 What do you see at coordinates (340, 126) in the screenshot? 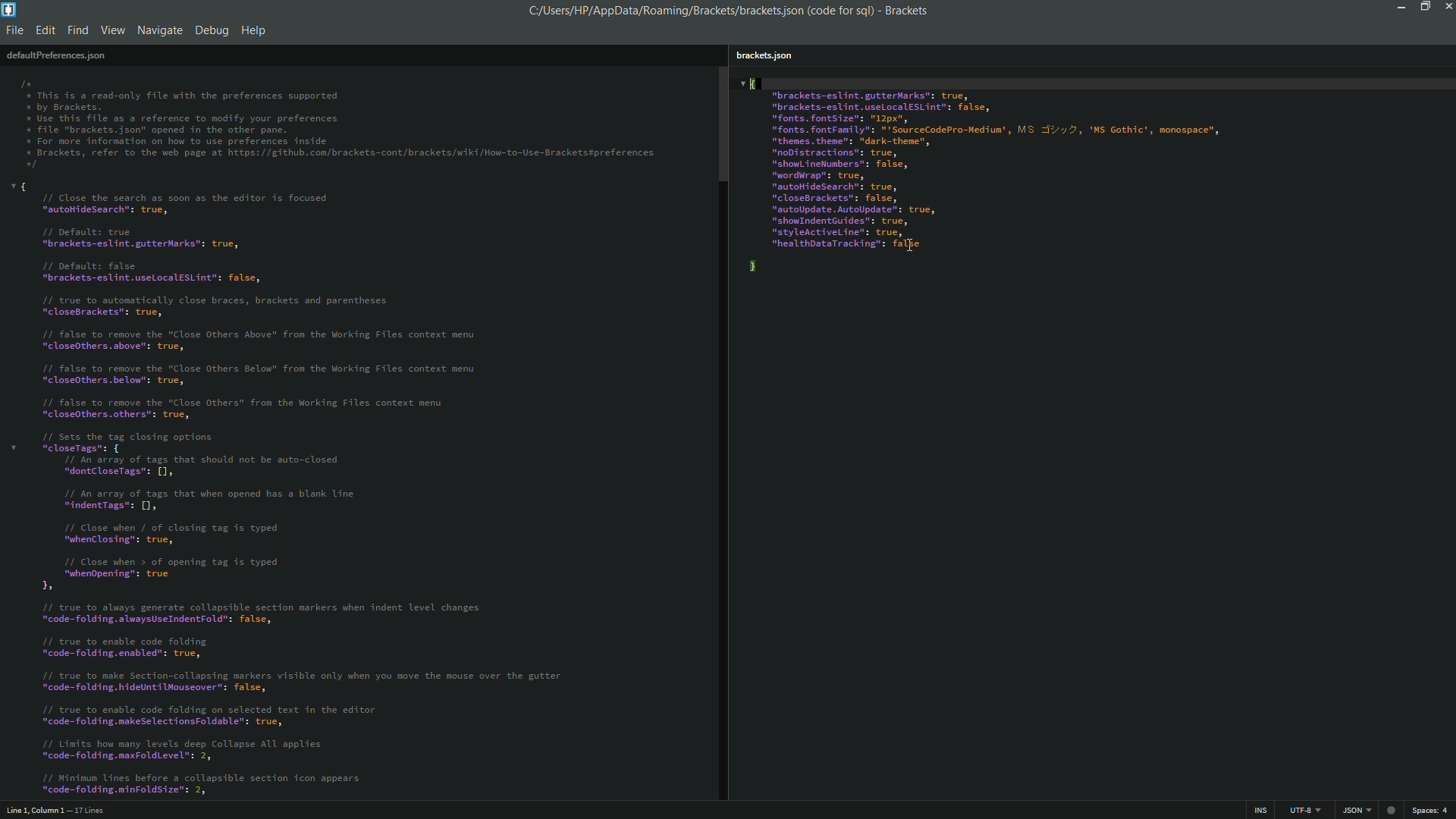
I see `Text` at bounding box center [340, 126].